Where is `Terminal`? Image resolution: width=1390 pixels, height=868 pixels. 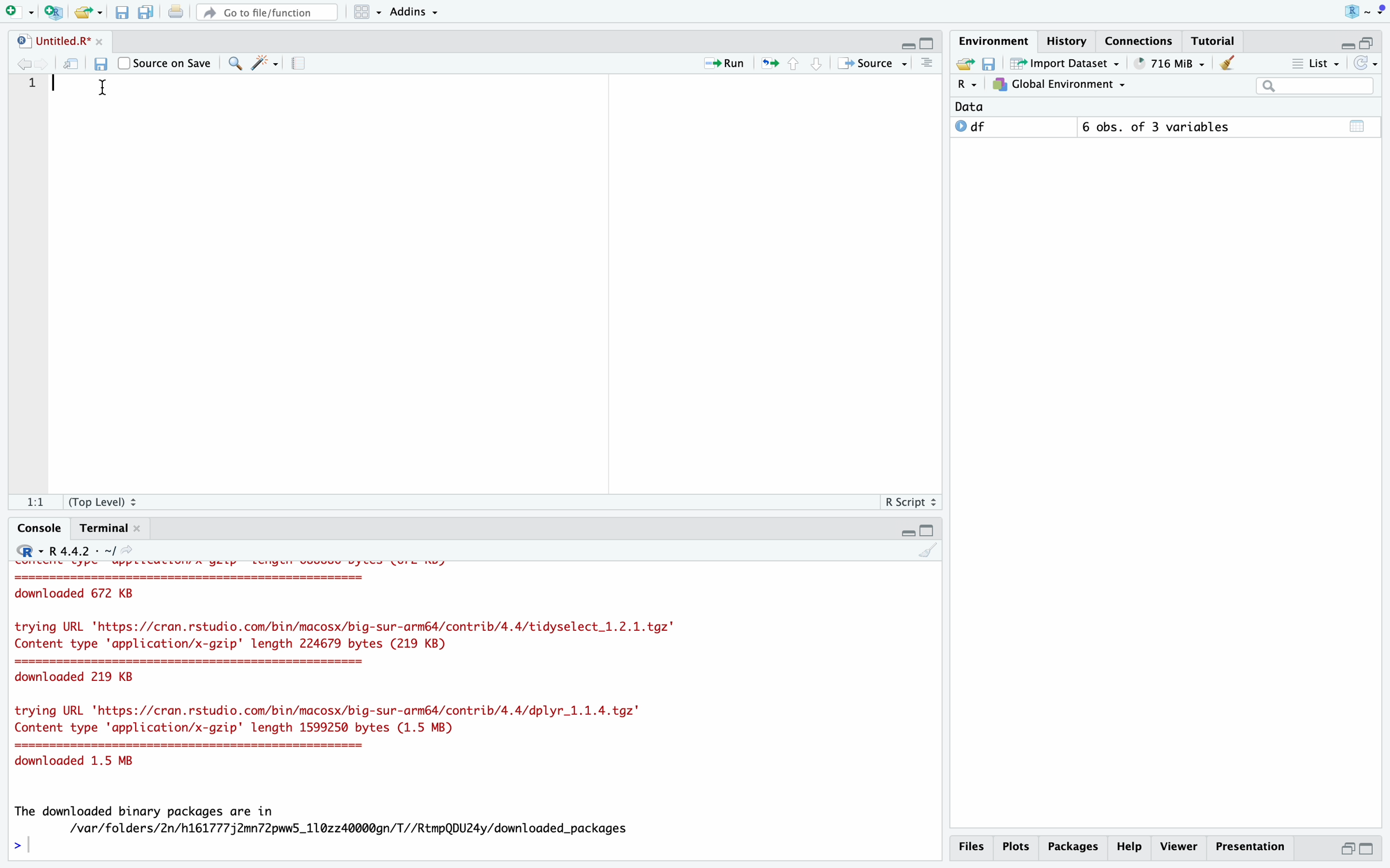
Terminal is located at coordinates (110, 529).